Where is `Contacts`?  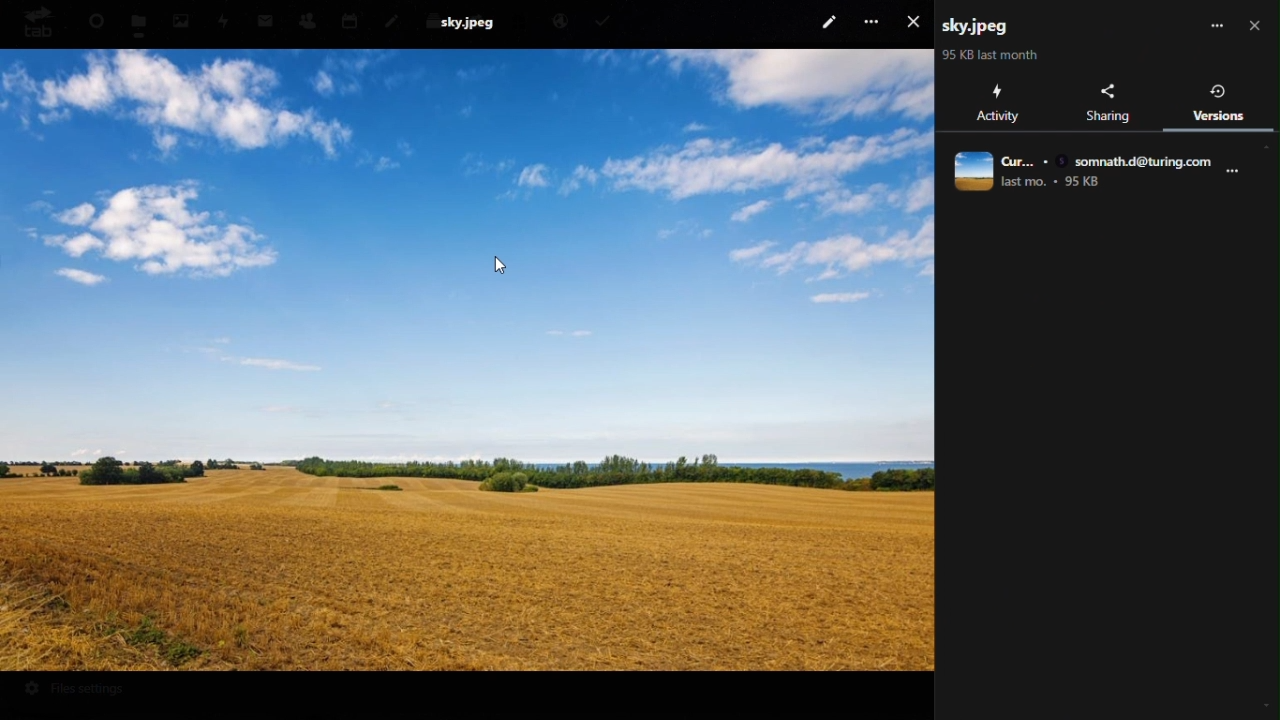
Contacts is located at coordinates (308, 17).